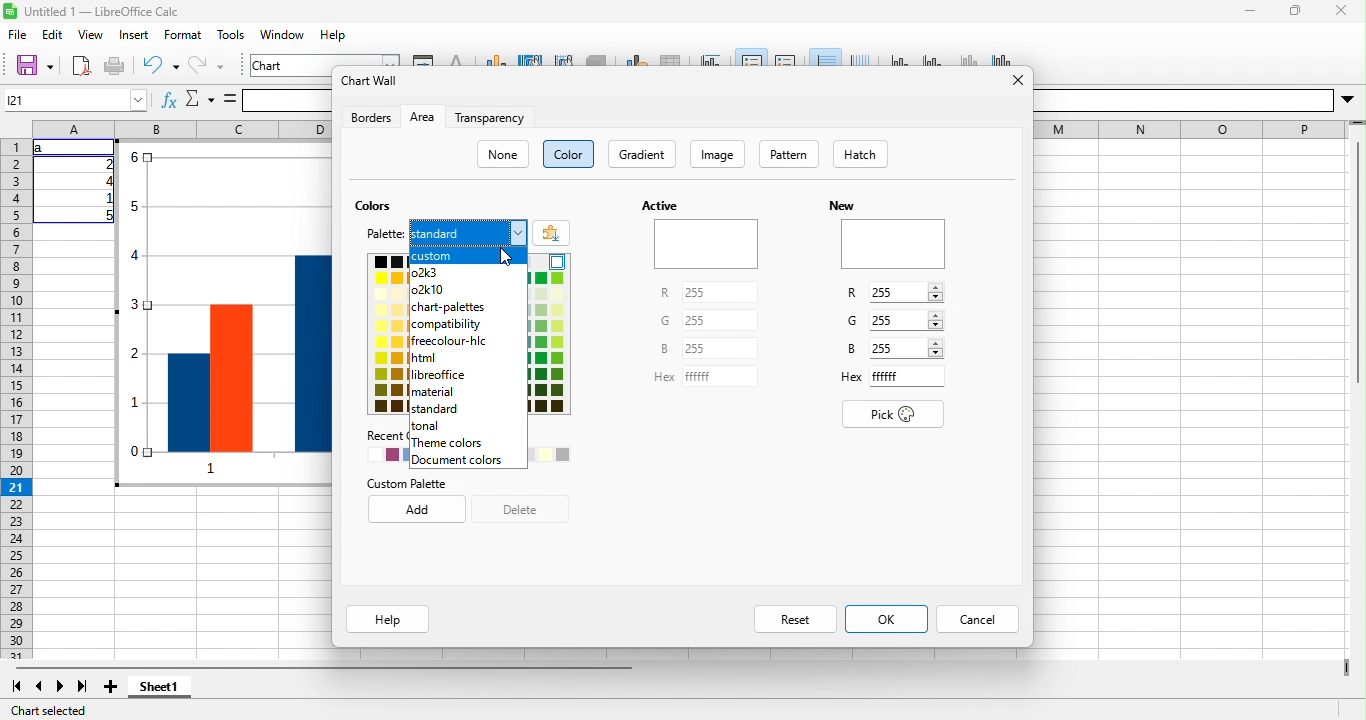  What do you see at coordinates (17, 399) in the screenshot?
I see `rows` at bounding box center [17, 399].